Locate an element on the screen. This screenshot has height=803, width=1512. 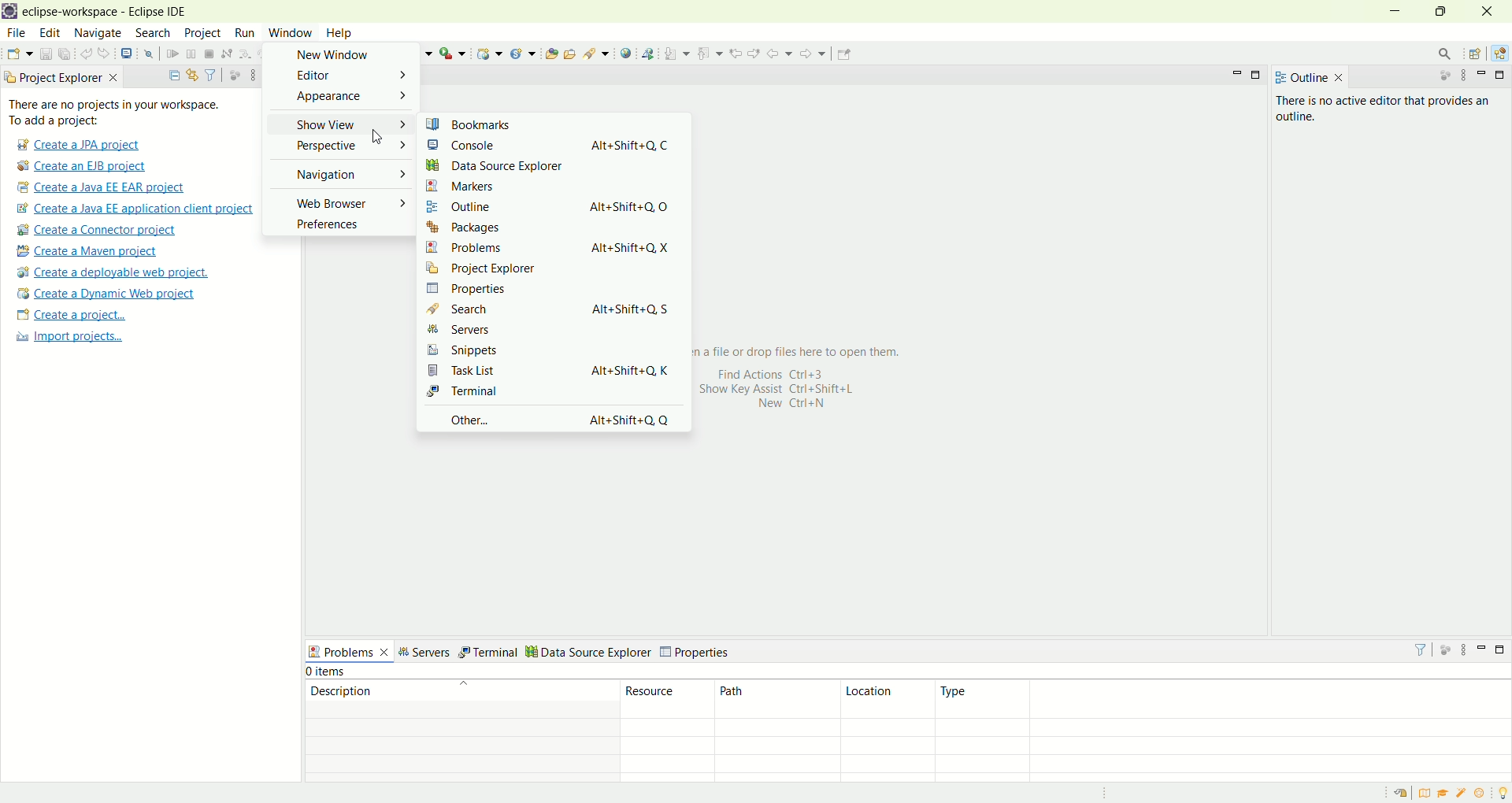
project explorer is located at coordinates (499, 270).